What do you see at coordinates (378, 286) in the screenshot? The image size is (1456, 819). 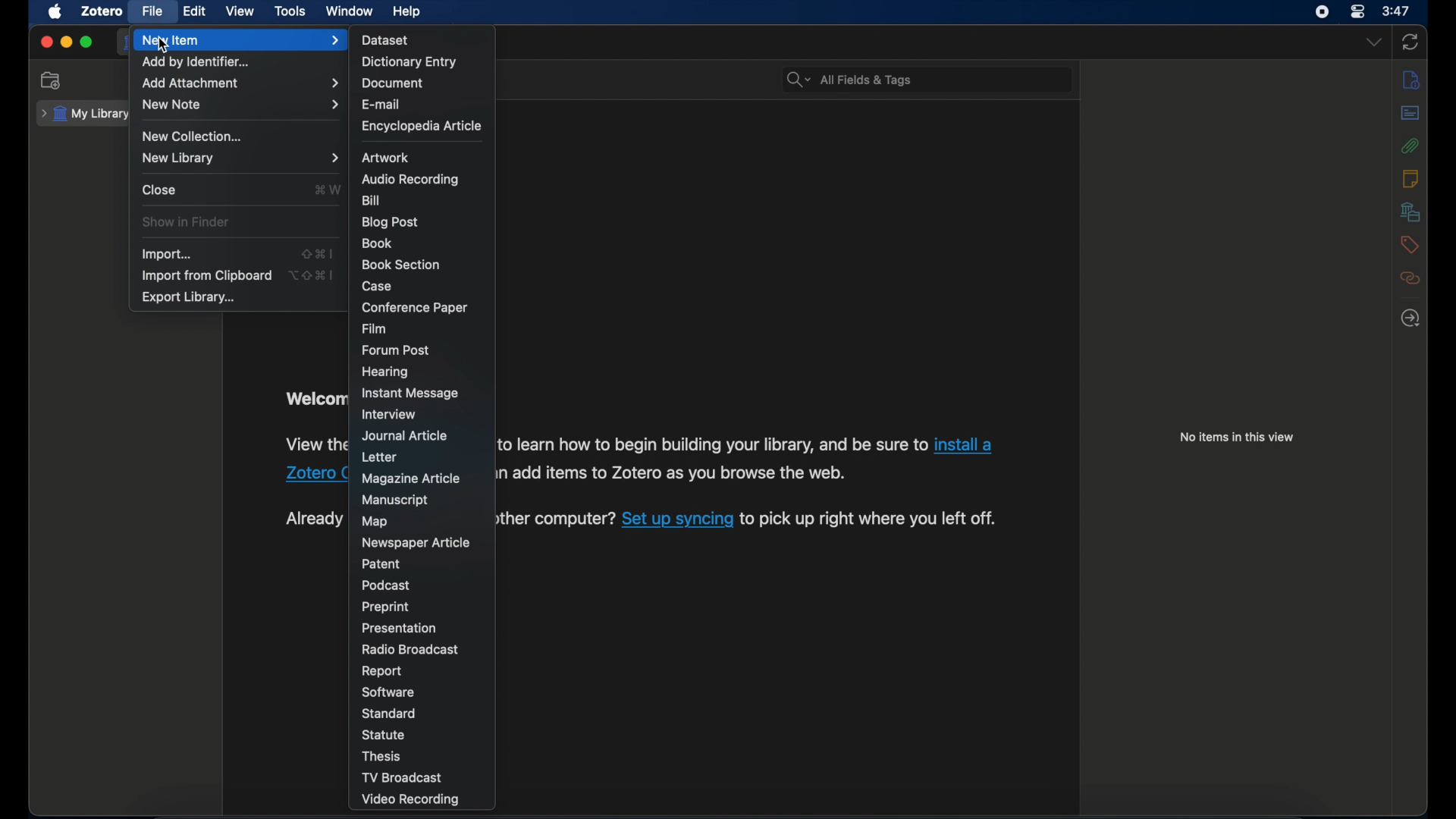 I see `case` at bounding box center [378, 286].